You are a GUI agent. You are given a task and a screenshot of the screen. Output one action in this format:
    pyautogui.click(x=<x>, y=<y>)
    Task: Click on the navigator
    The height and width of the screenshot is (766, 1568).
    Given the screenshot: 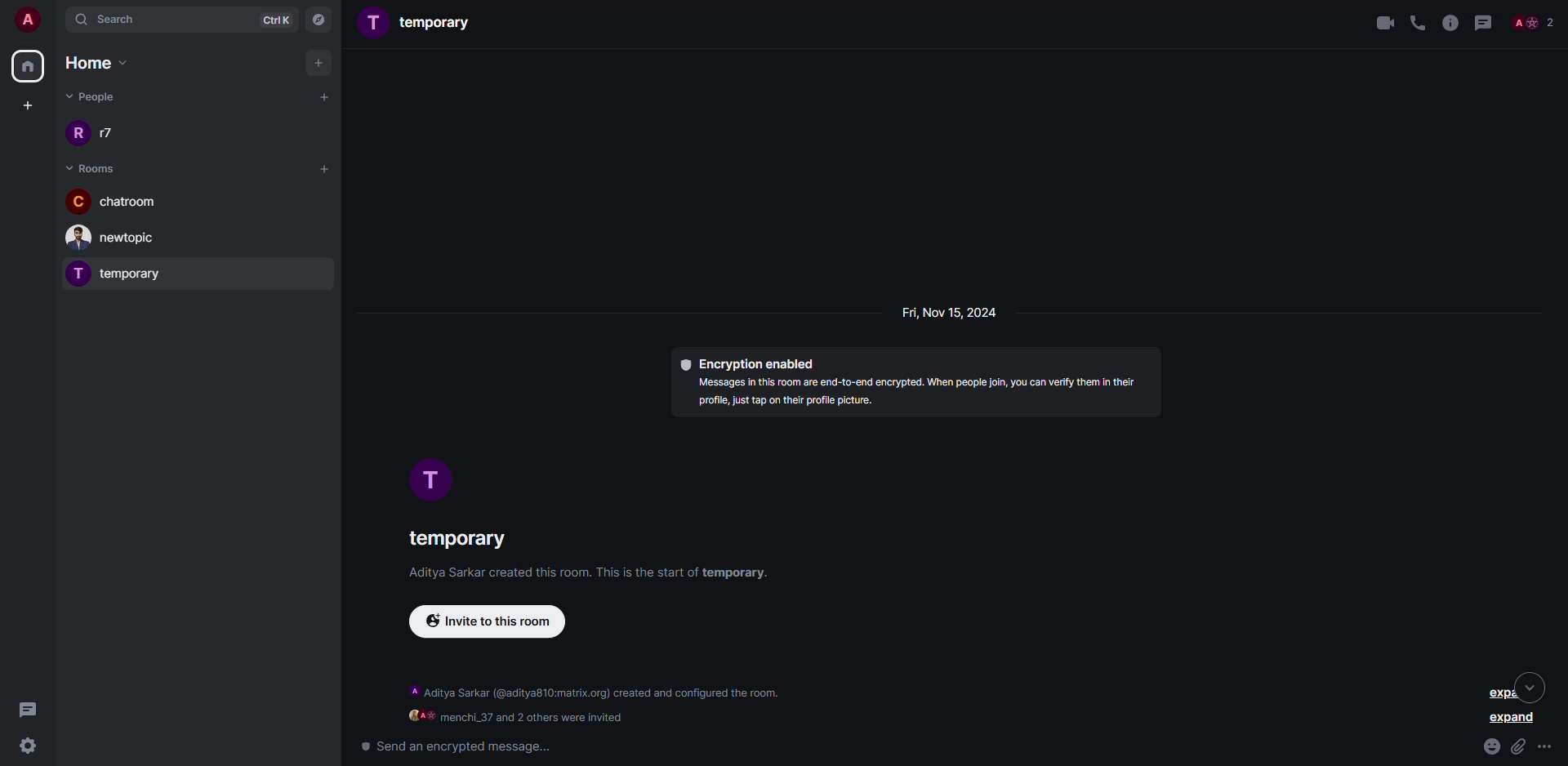 What is the action you would take?
    pyautogui.click(x=320, y=19)
    